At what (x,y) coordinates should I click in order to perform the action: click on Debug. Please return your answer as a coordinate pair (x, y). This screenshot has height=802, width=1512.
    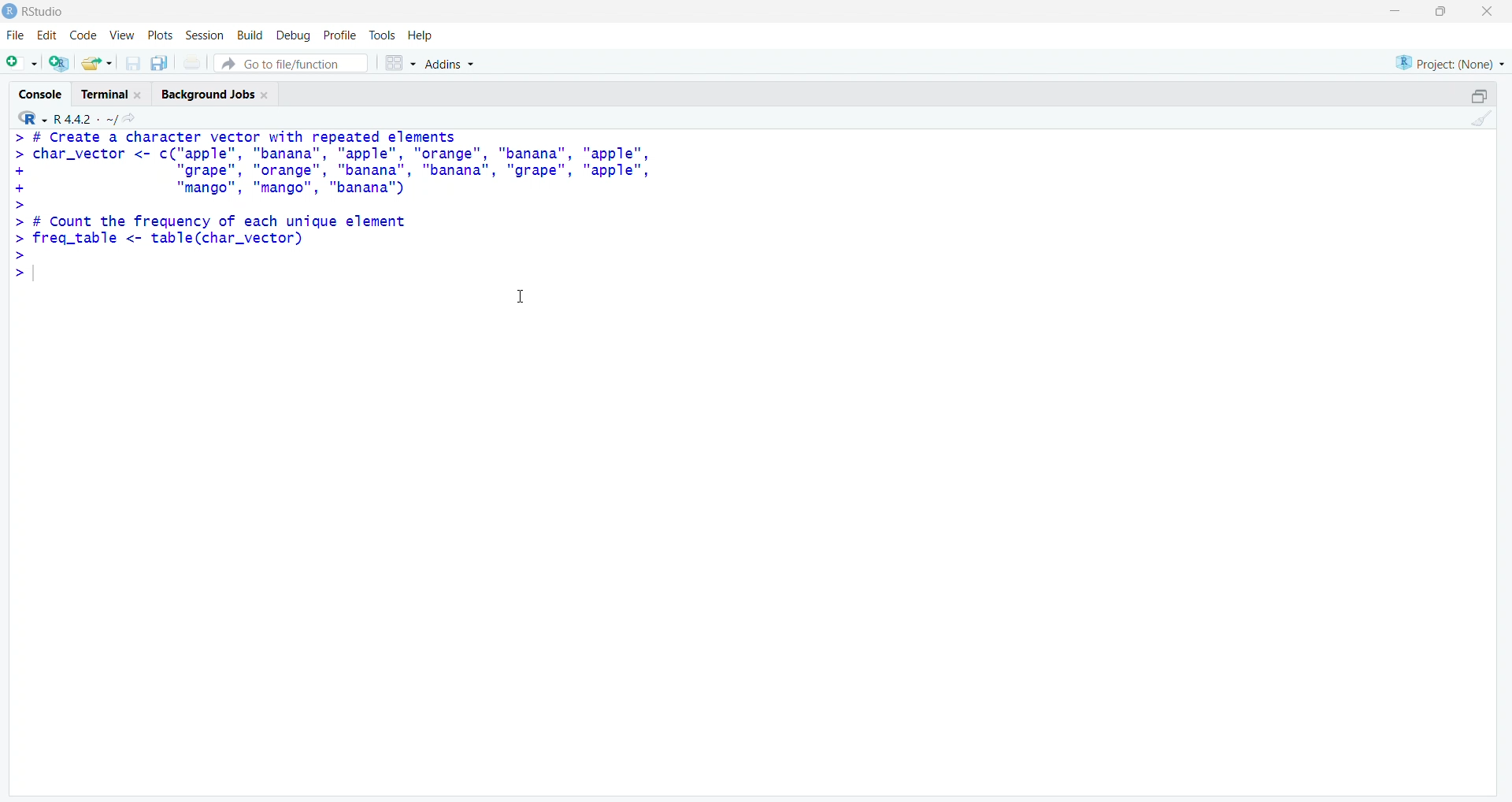
    Looking at the image, I should click on (294, 37).